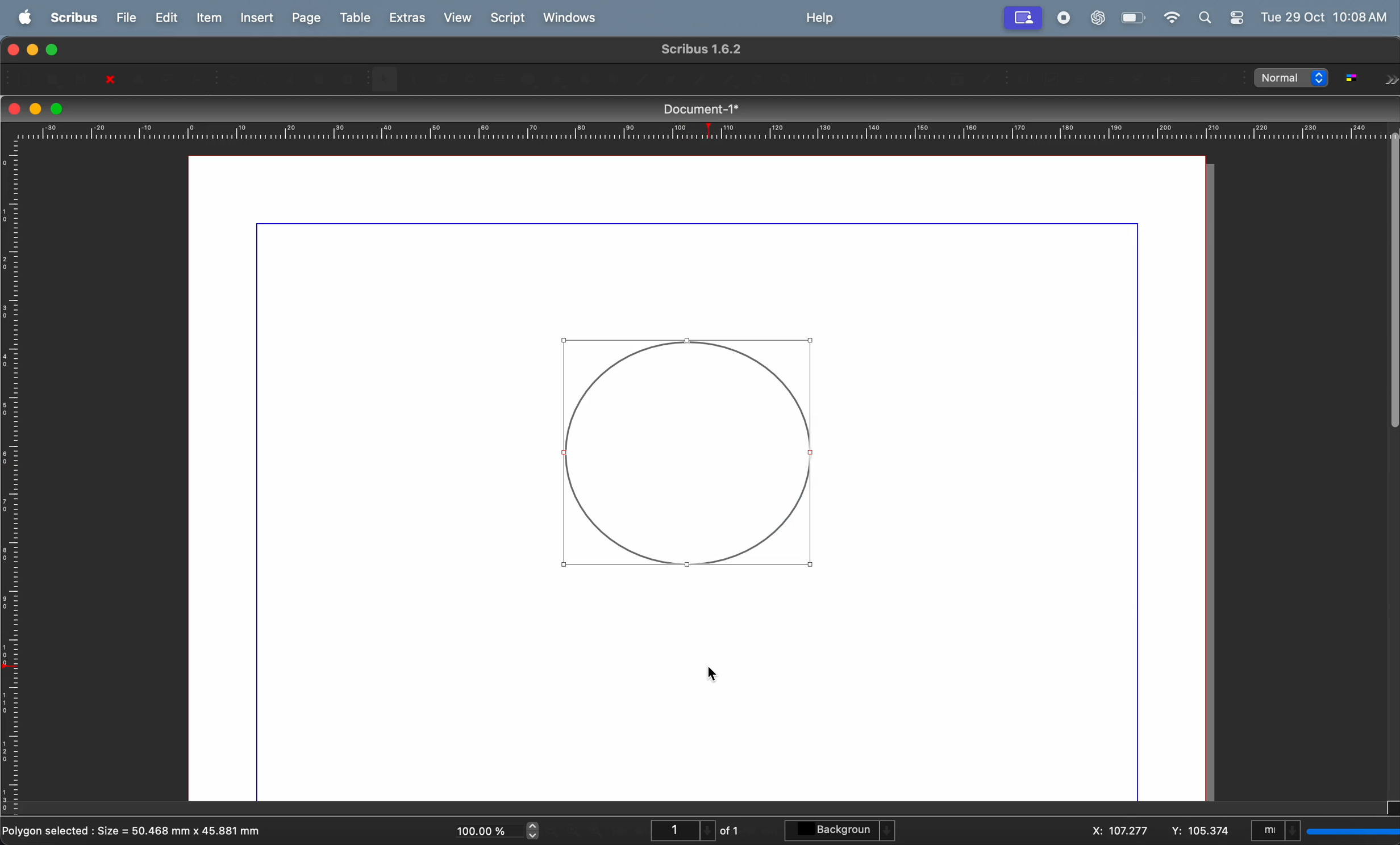  What do you see at coordinates (23, 18) in the screenshot?
I see `apple menu` at bounding box center [23, 18].